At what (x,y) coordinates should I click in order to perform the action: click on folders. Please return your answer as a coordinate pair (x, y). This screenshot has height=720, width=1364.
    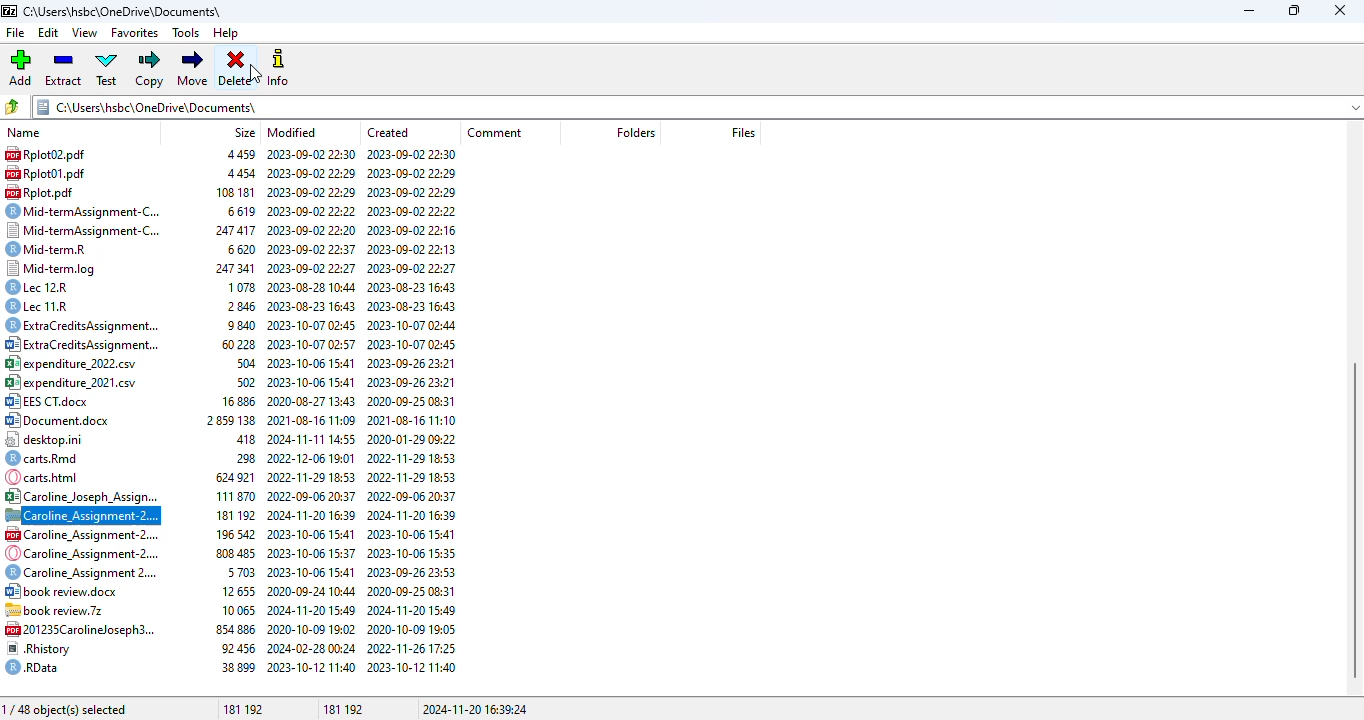
    Looking at the image, I should click on (635, 133).